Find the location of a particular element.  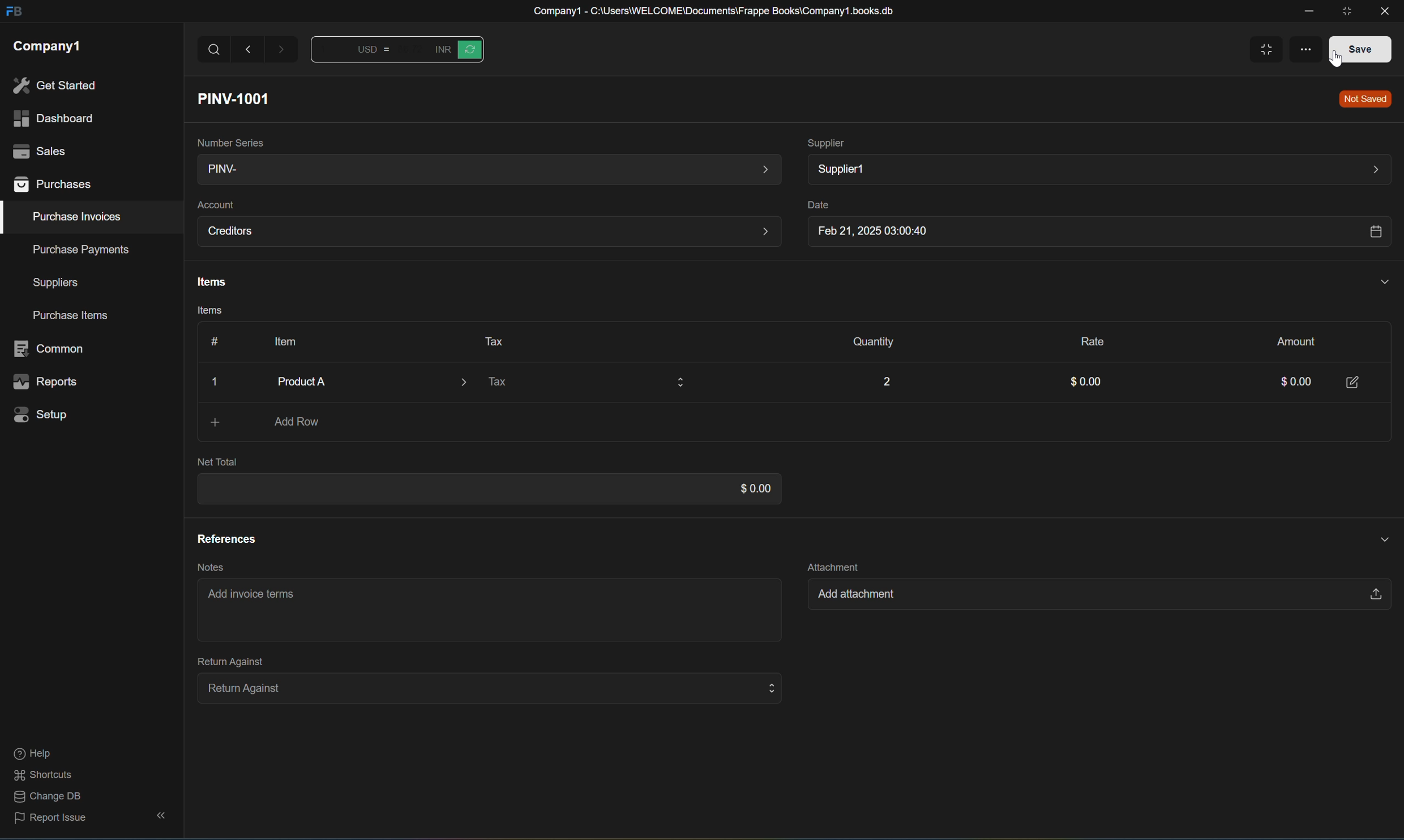

Save is located at coordinates (1355, 48).